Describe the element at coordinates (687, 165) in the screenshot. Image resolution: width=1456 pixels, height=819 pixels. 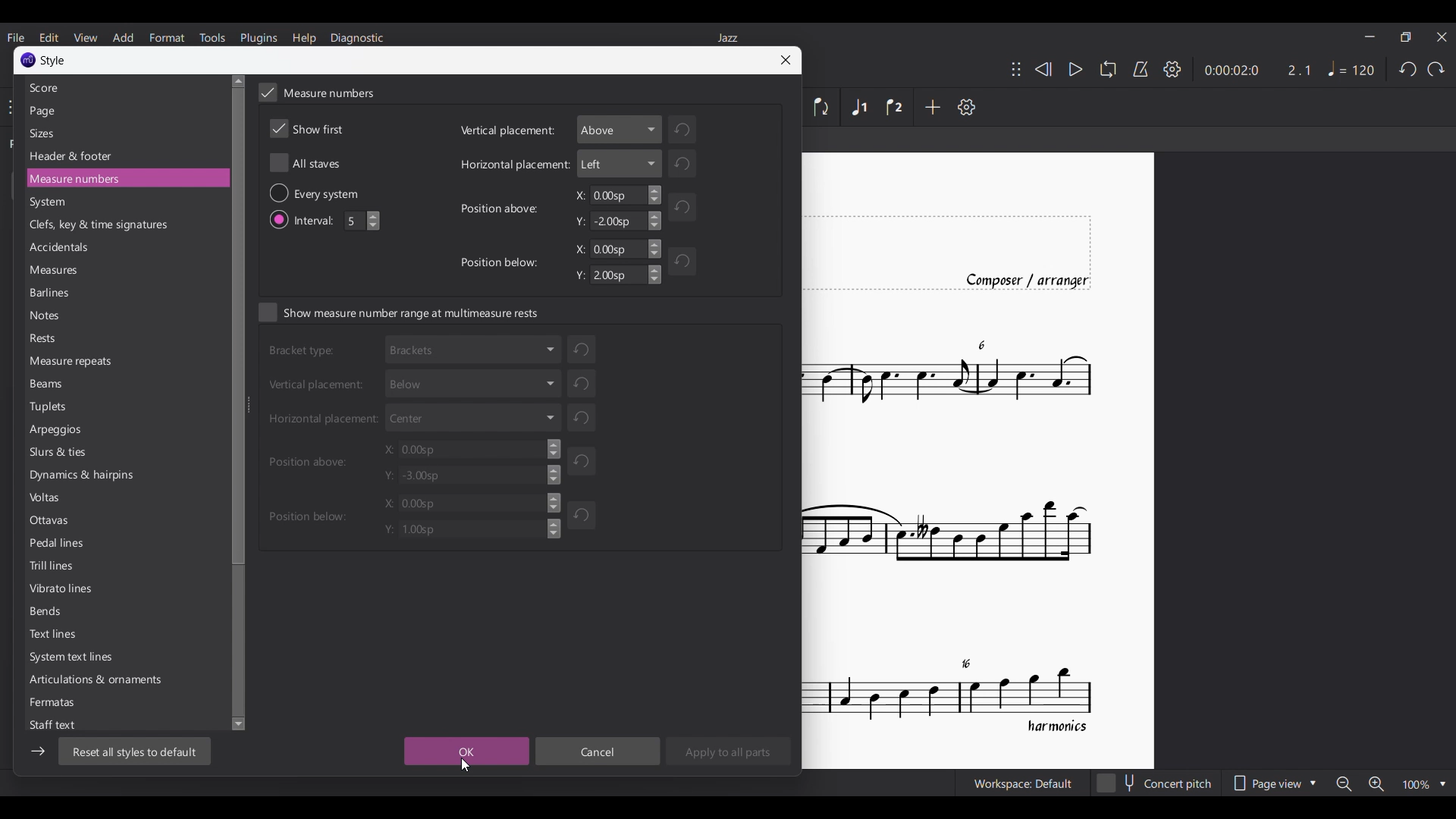
I see `Refresh` at that location.